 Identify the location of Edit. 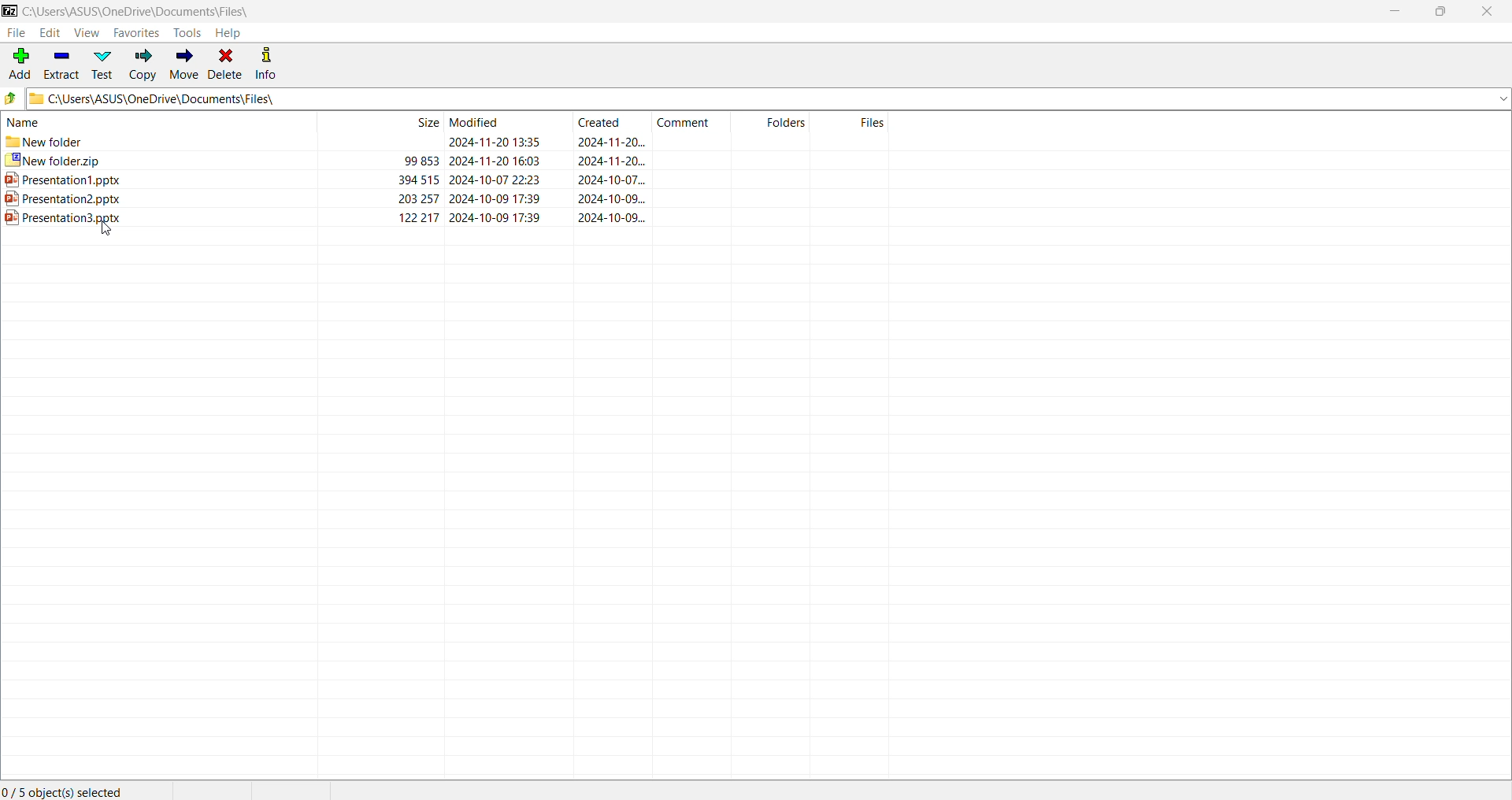
(52, 32).